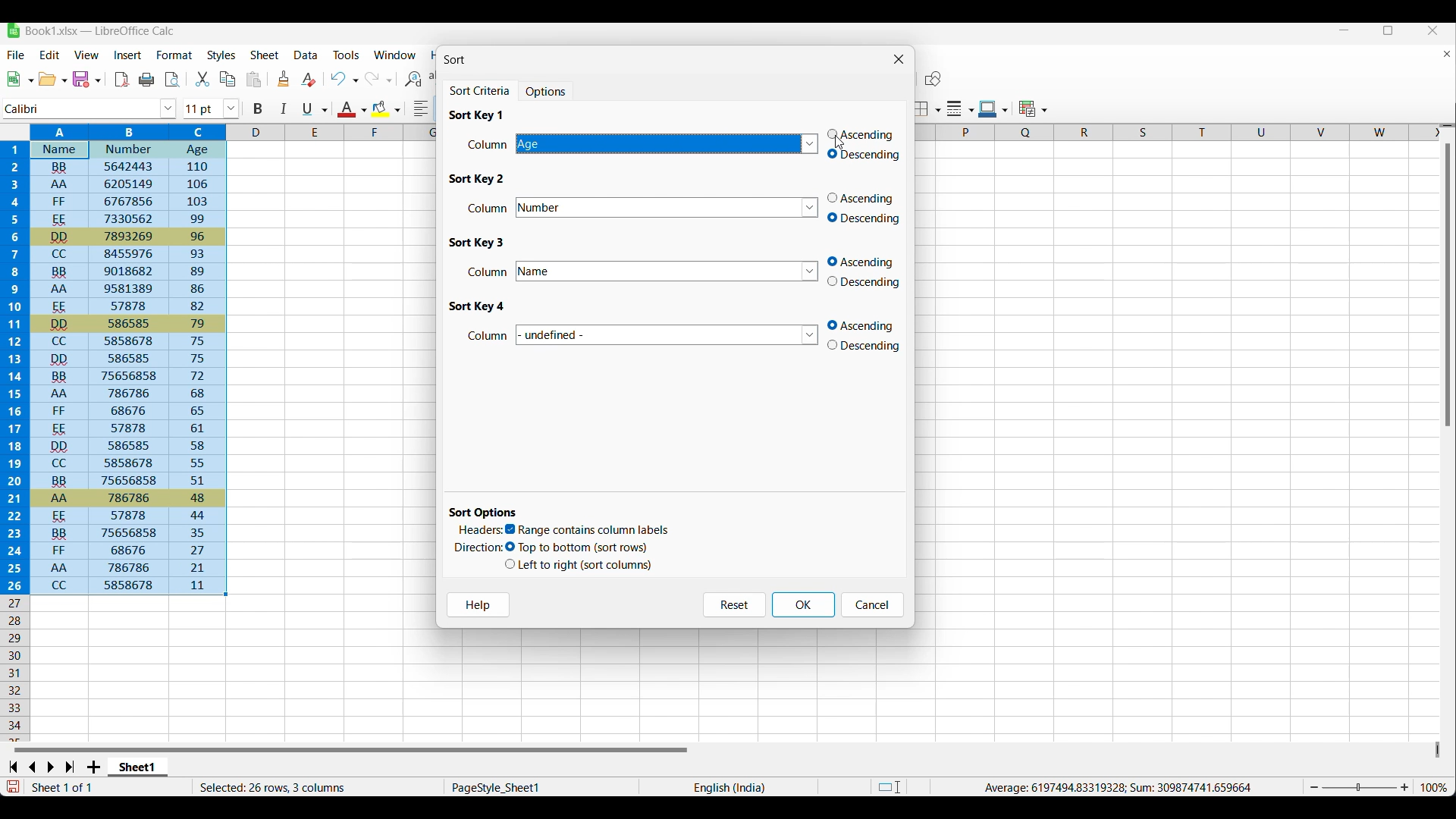  Describe the element at coordinates (81, 109) in the screenshot. I see `Input font` at that location.